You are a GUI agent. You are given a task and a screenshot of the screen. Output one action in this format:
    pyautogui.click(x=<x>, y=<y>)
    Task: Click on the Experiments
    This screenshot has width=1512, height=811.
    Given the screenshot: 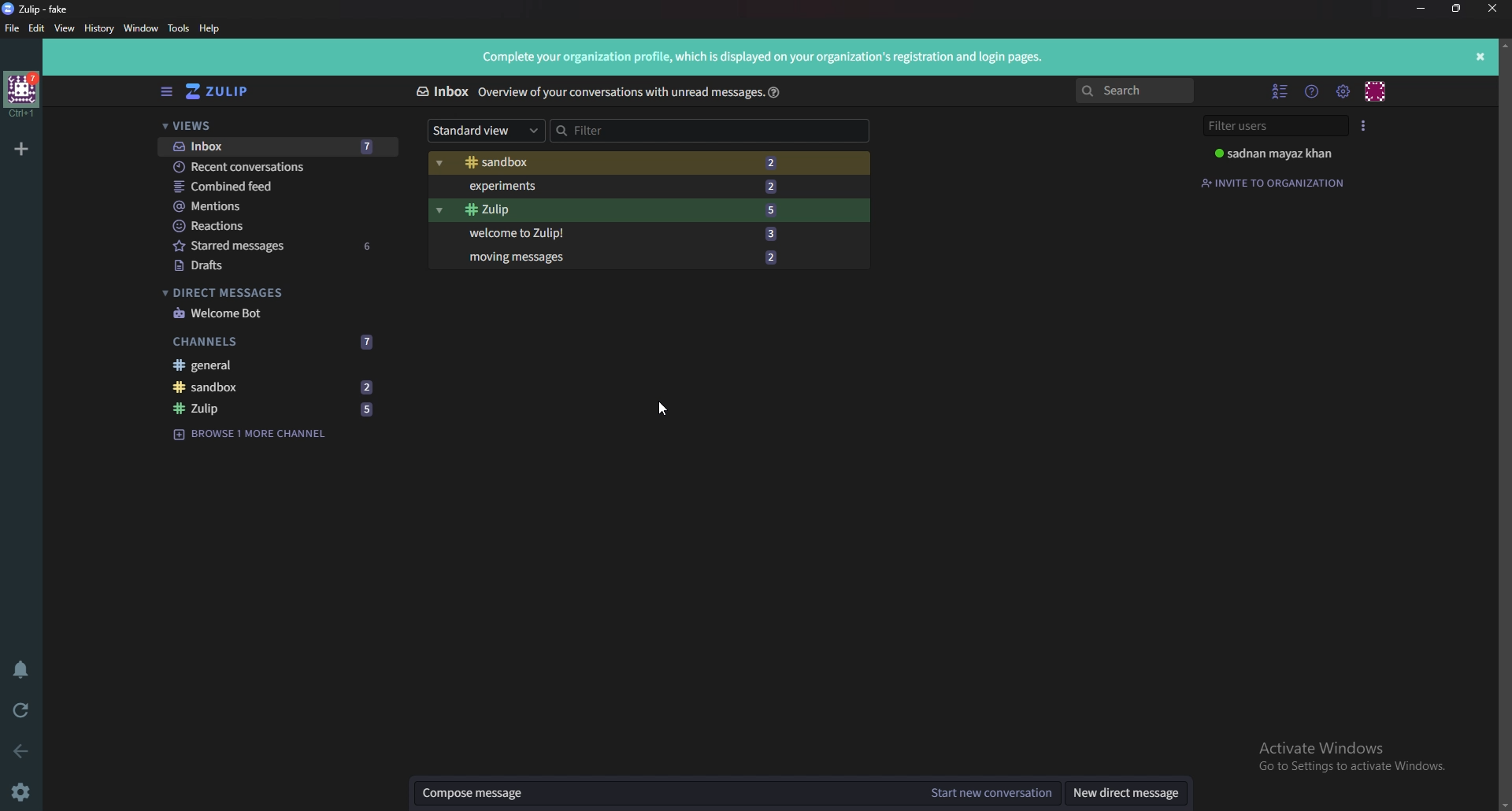 What is the action you would take?
    pyautogui.click(x=636, y=187)
    